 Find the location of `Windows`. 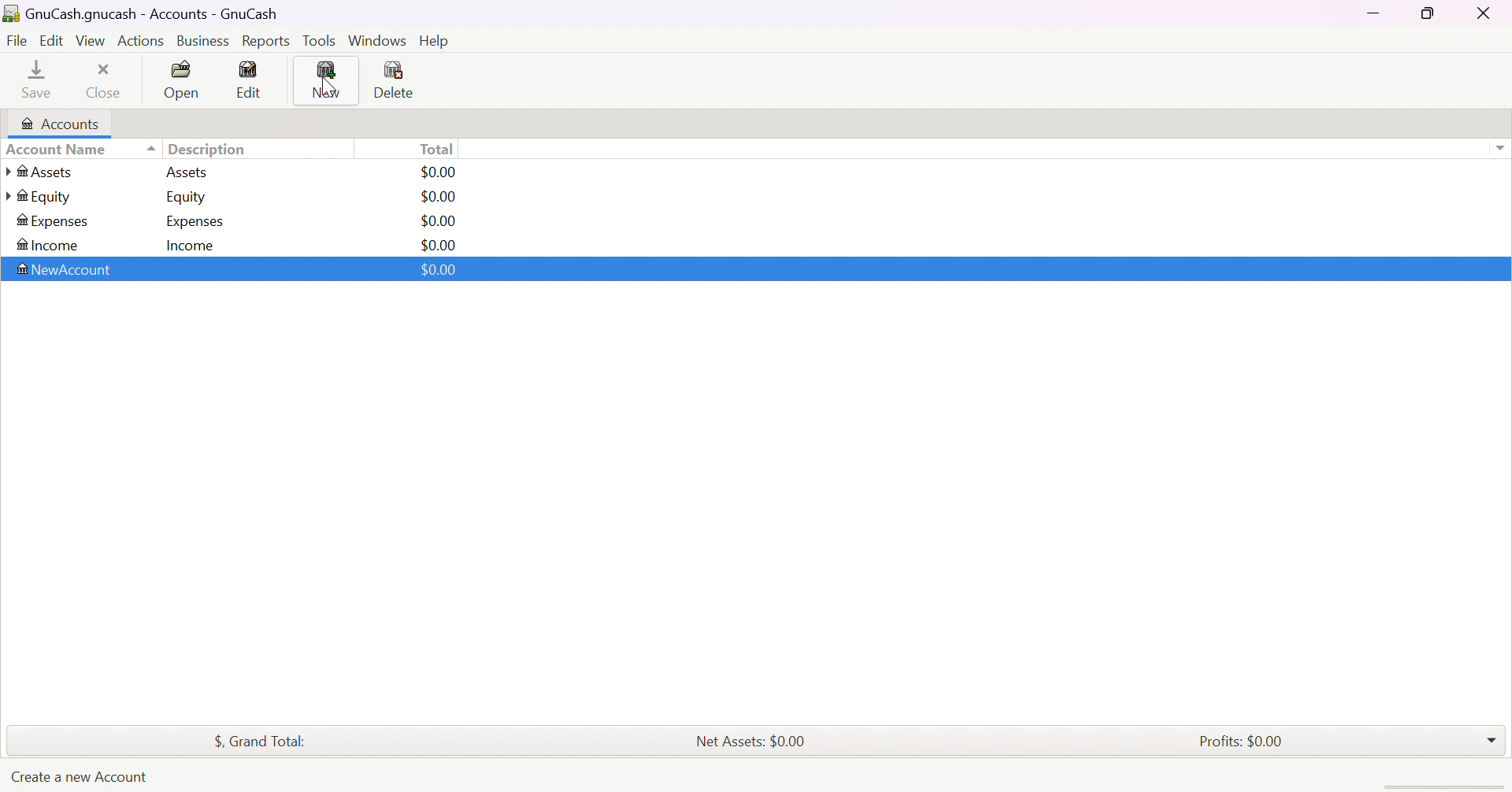

Windows is located at coordinates (376, 39).